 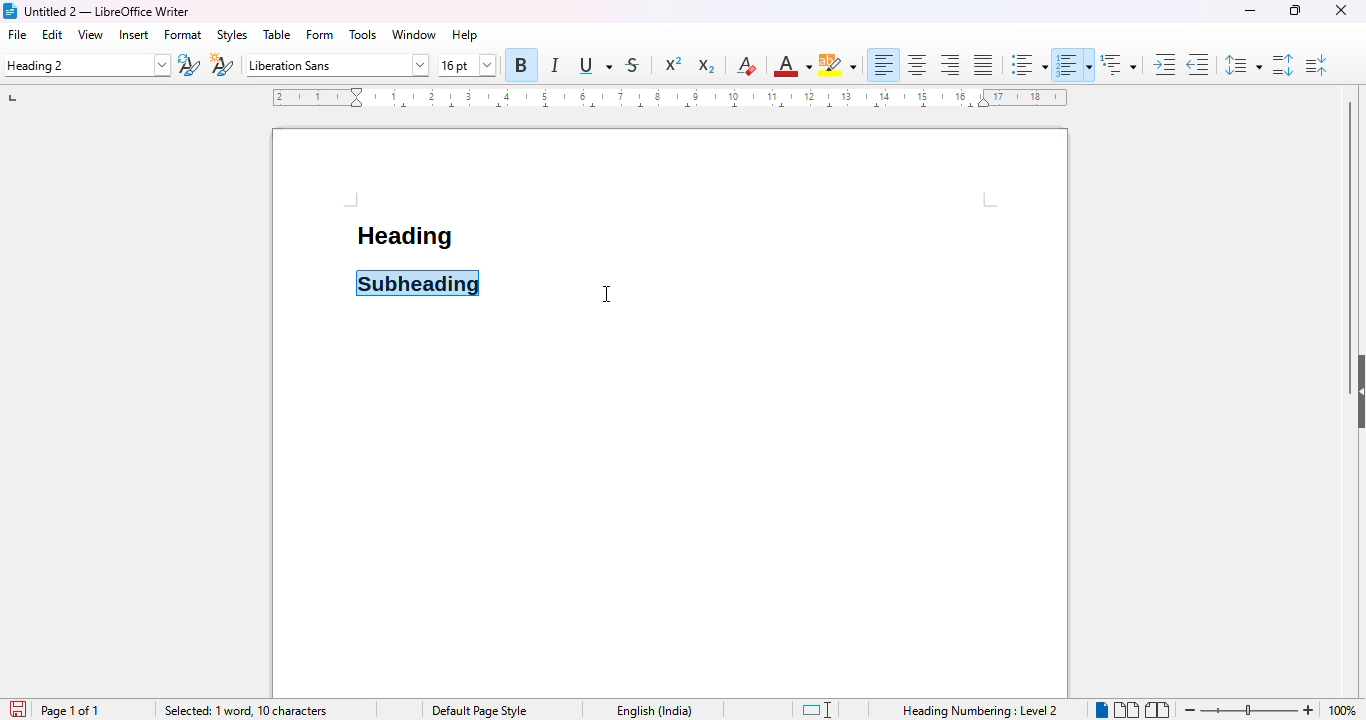 I want to click on form, so click(x=320, y=35).